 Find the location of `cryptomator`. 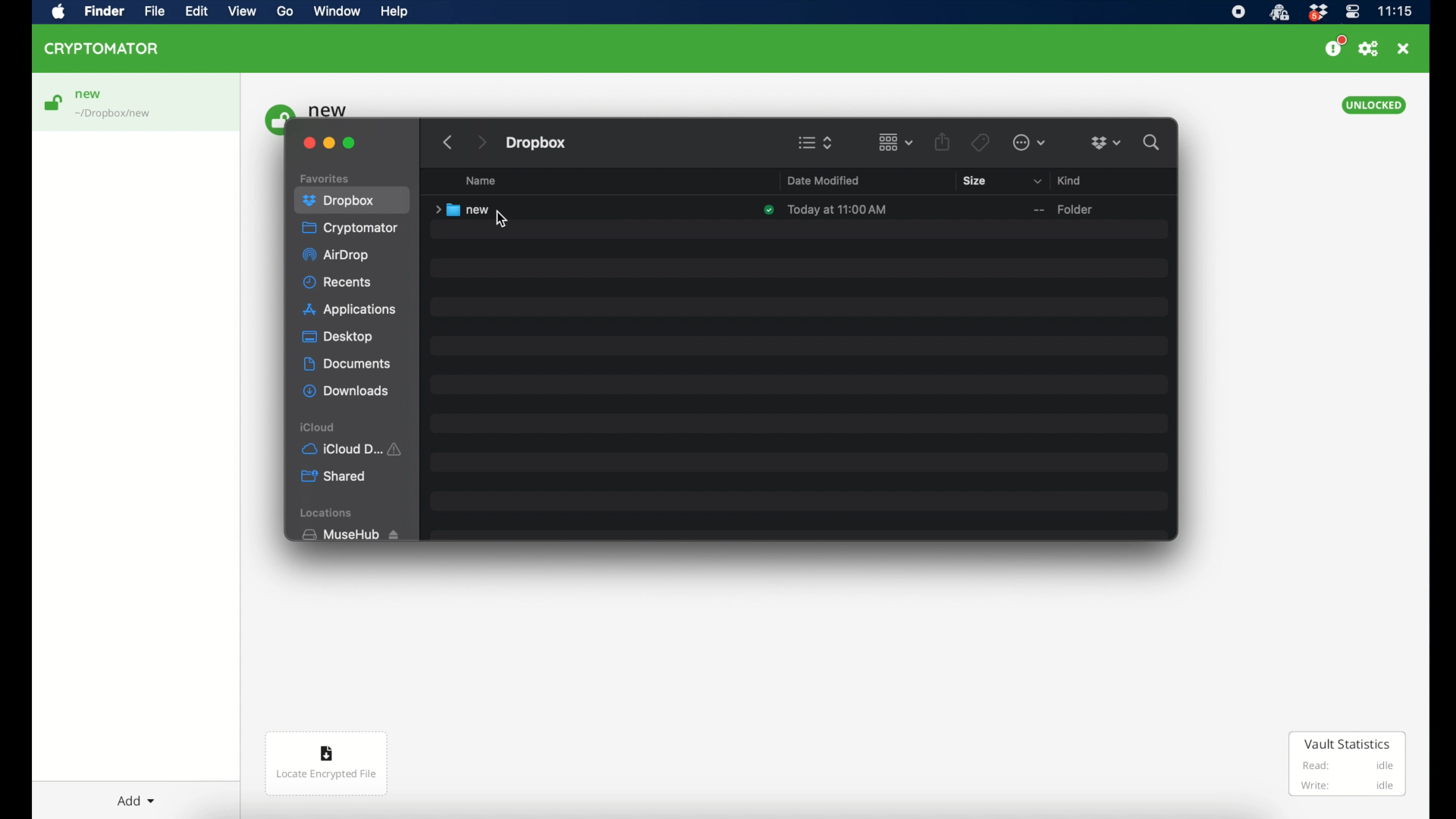

cryptomator is located at coordinates (351, 227).